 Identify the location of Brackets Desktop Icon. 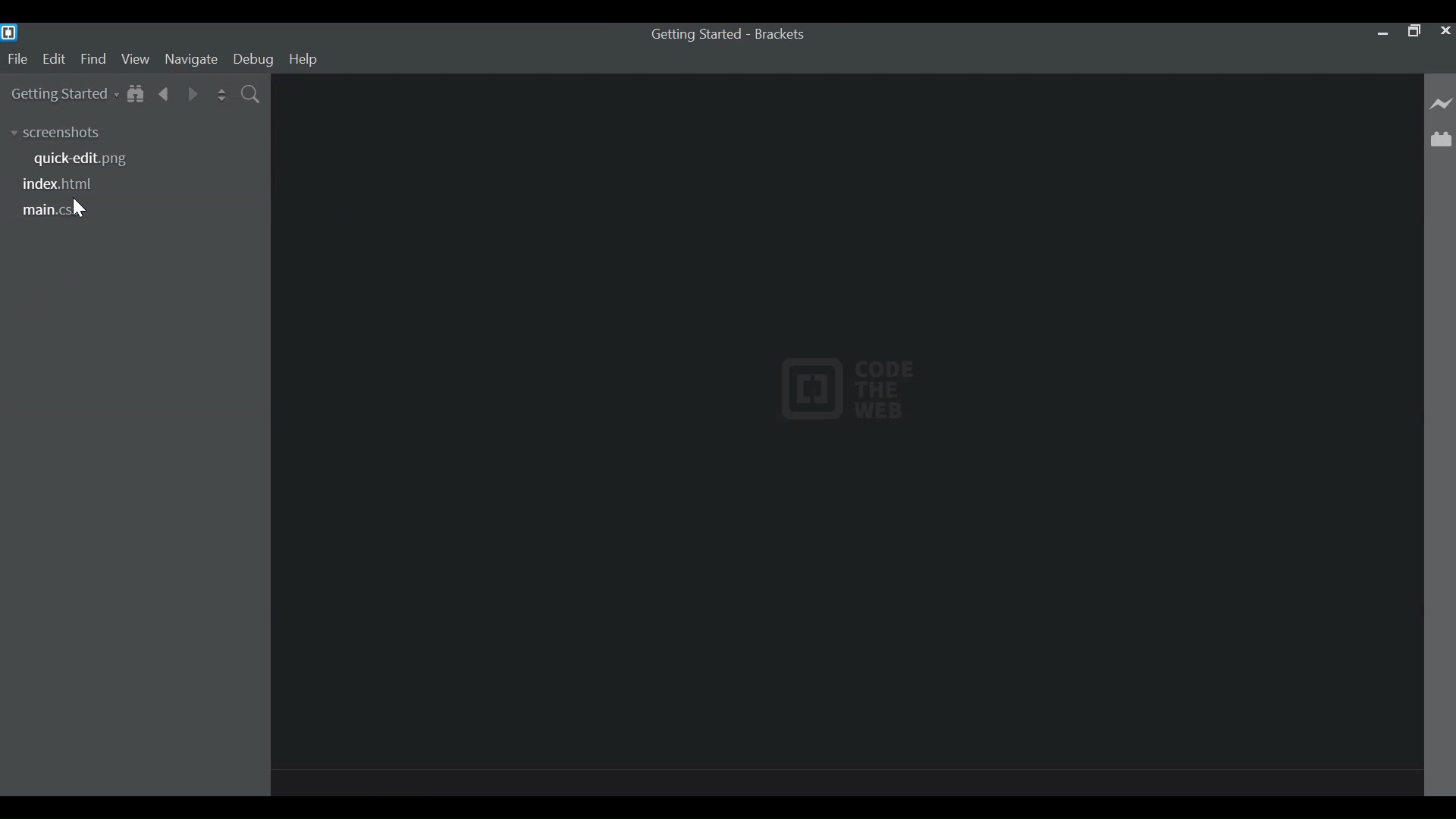
(10, 33).